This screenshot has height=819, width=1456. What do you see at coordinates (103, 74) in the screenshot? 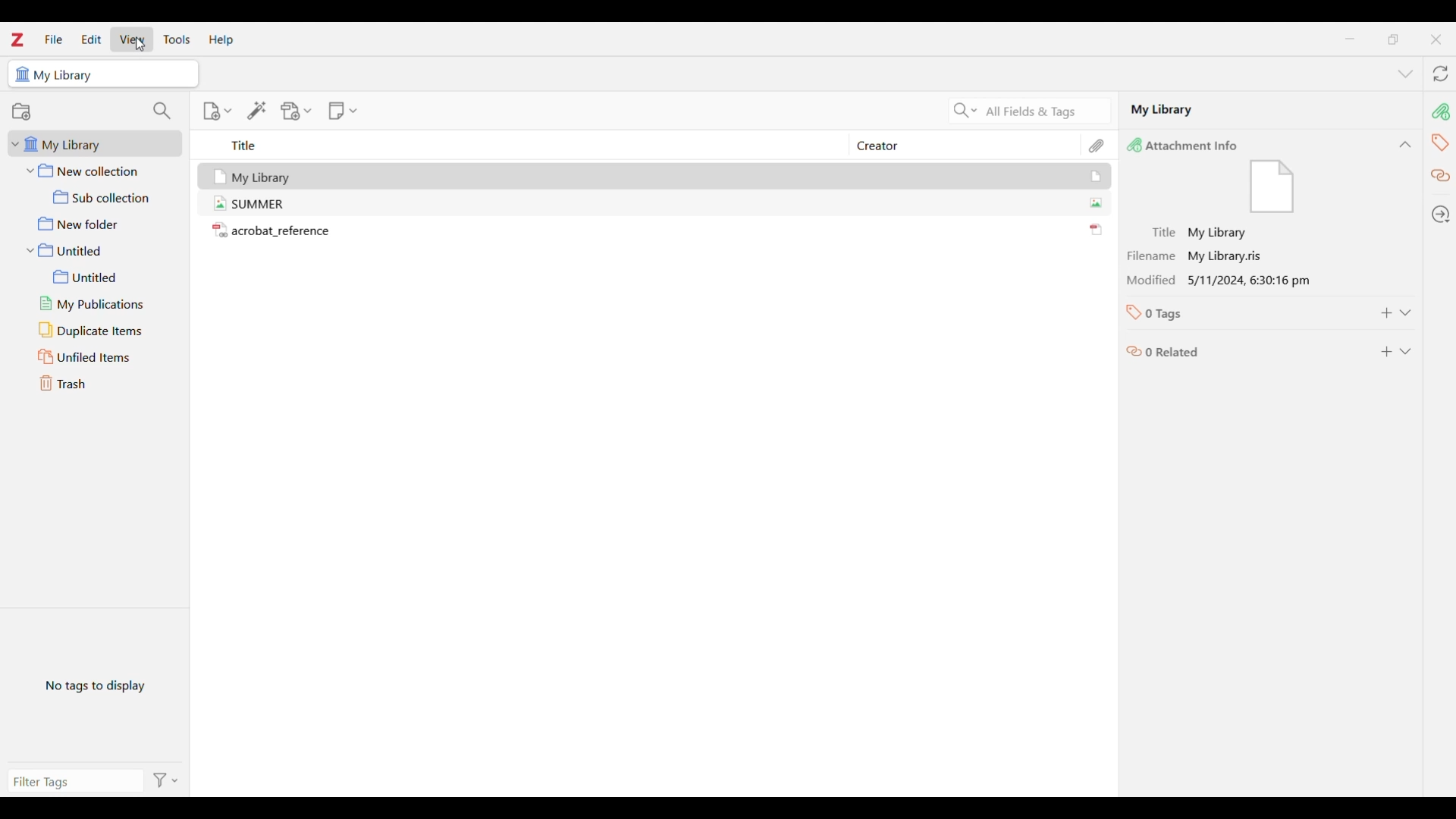
I see `Selected folder` at bounding box center [103, 74].